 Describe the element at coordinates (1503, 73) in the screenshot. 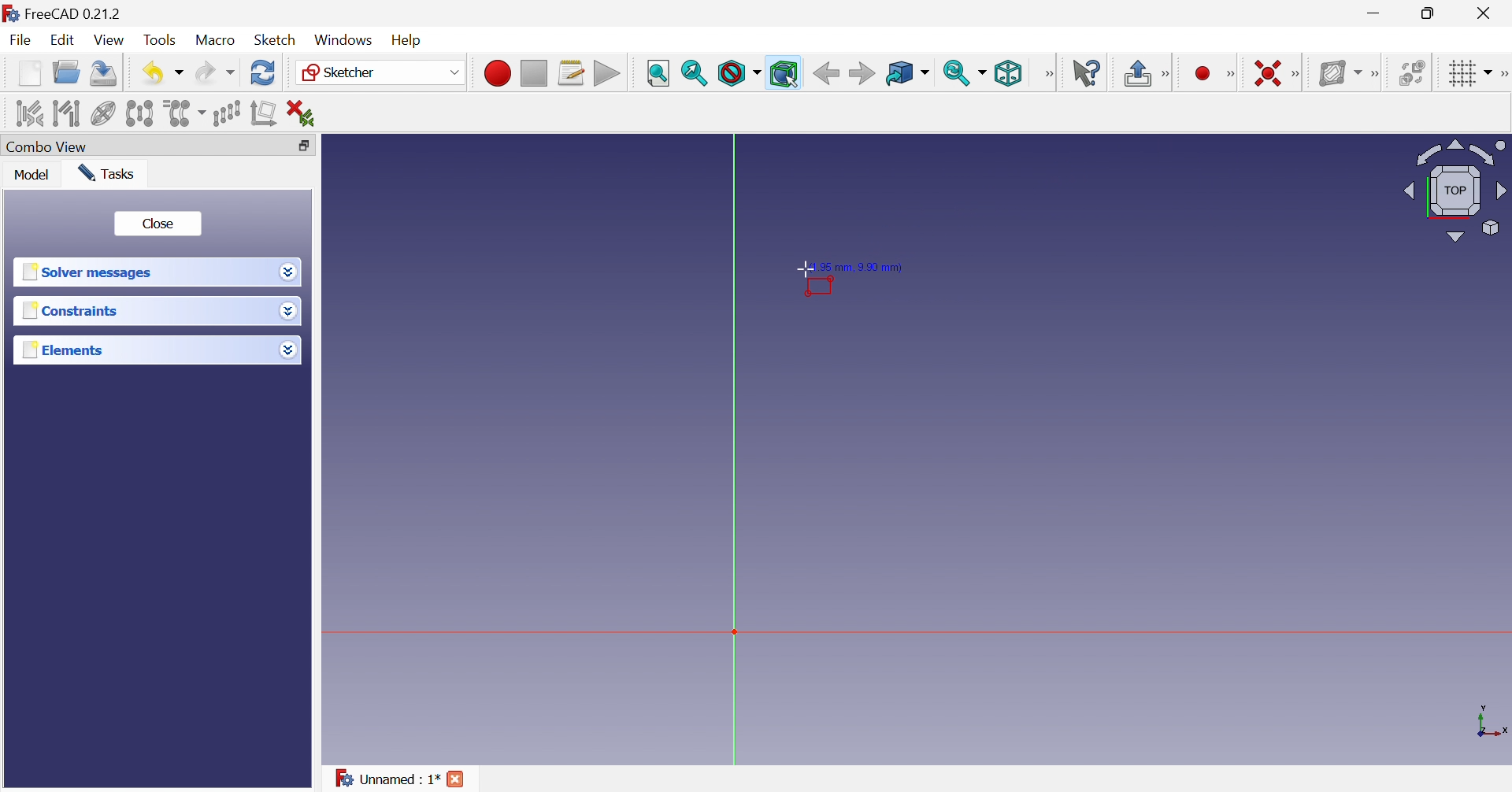

I see `[Sketcher edit tools]` at that location.